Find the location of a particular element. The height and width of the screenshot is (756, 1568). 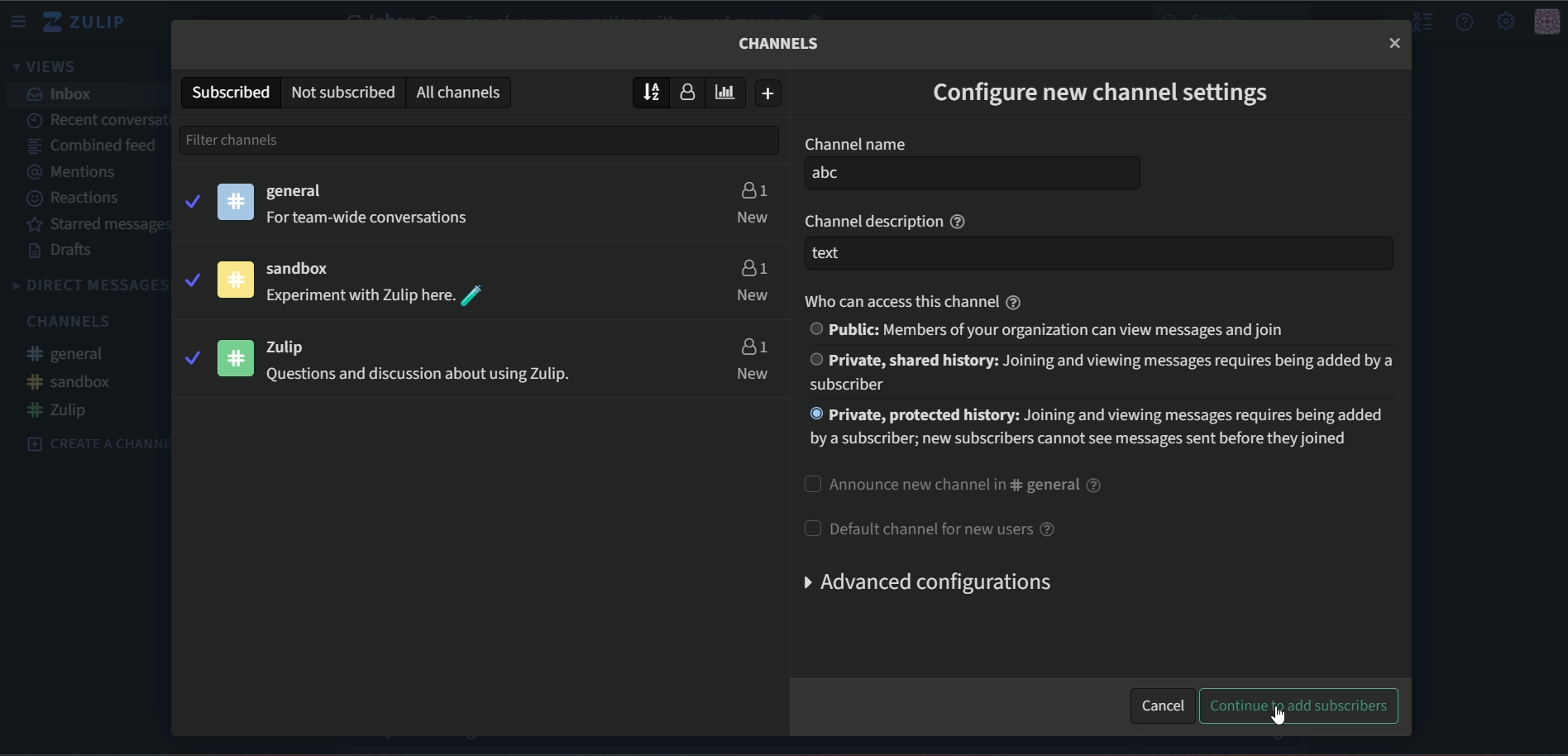

subscribed is located at coordinates (229, 91).